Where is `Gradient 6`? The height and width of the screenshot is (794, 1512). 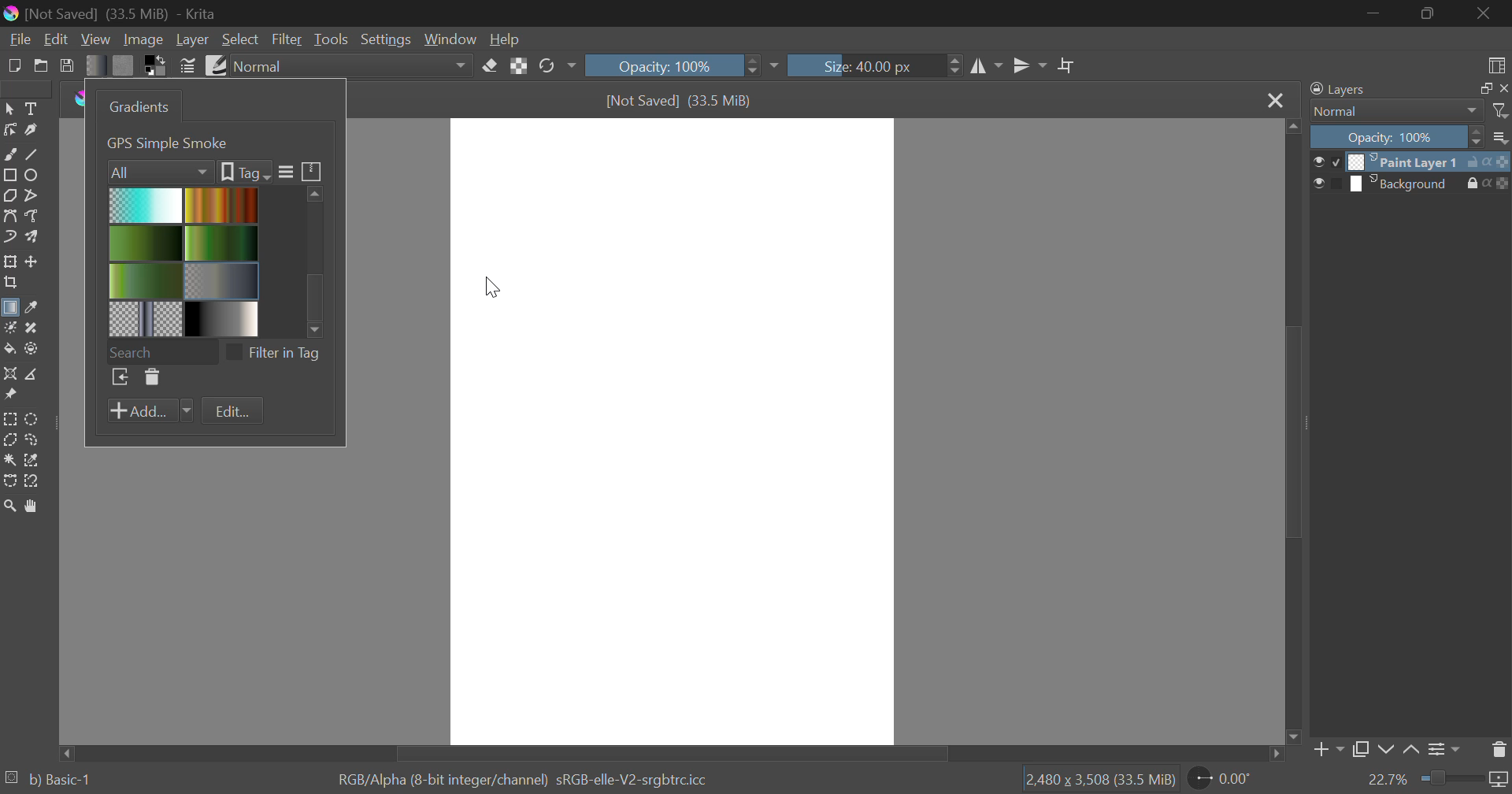
Gradient 6 is located at coordinates (223, 279).